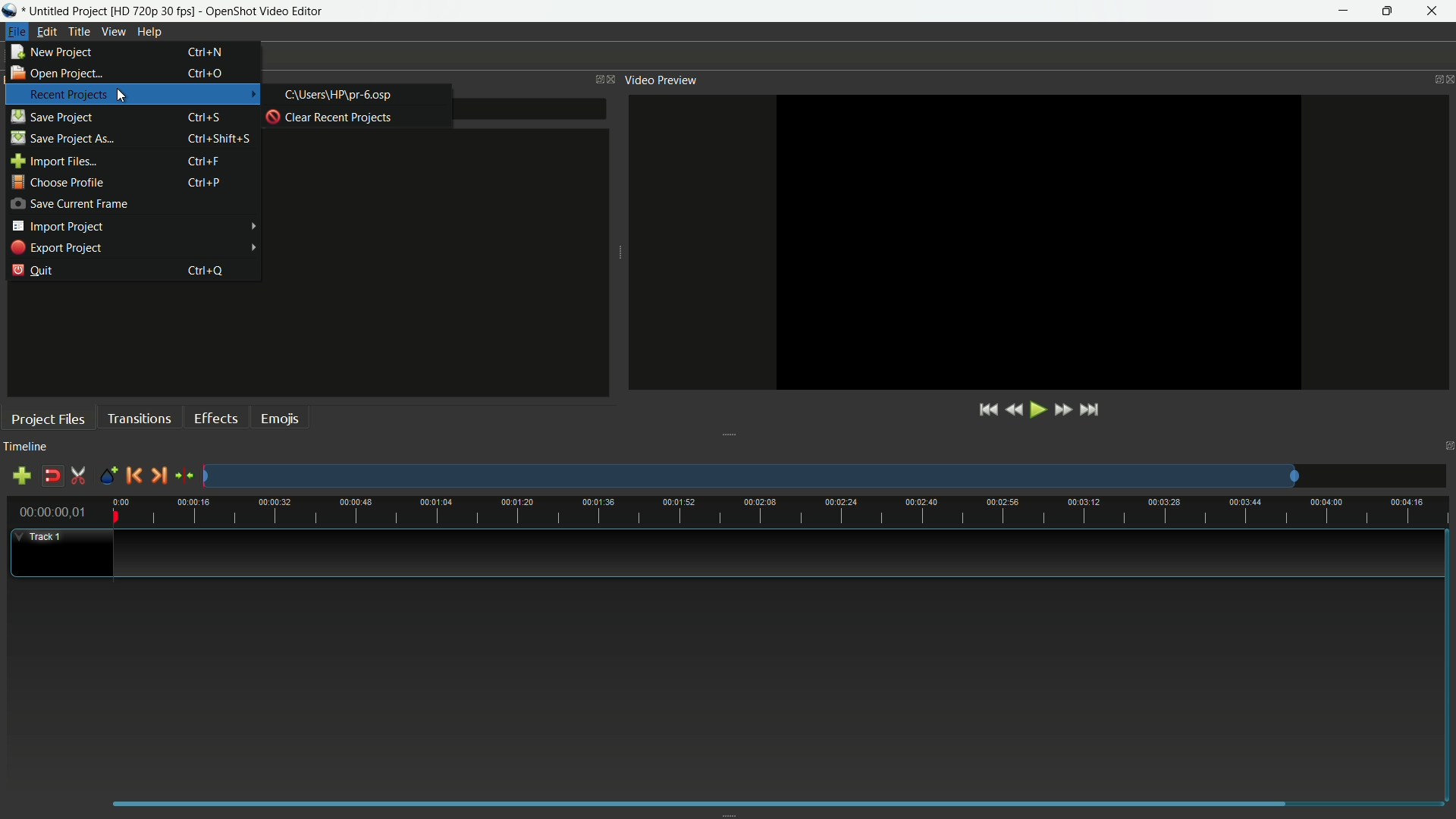 The image size is (1456, 819). I want to click on emojis, so click(283, 417).